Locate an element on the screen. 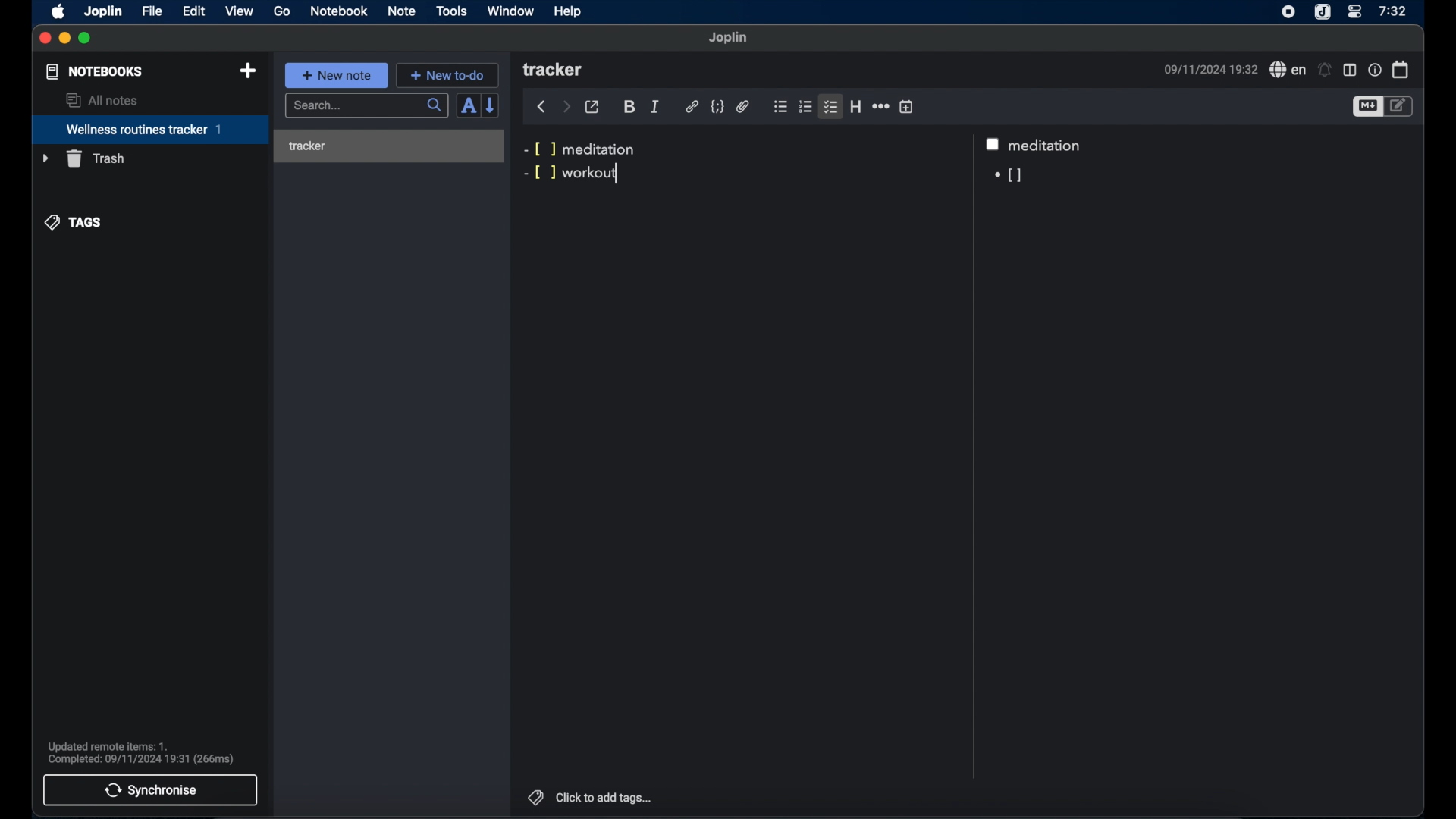 The width and height of the screenshot is (1456, 819). italic is located at coordinates (655, 107).